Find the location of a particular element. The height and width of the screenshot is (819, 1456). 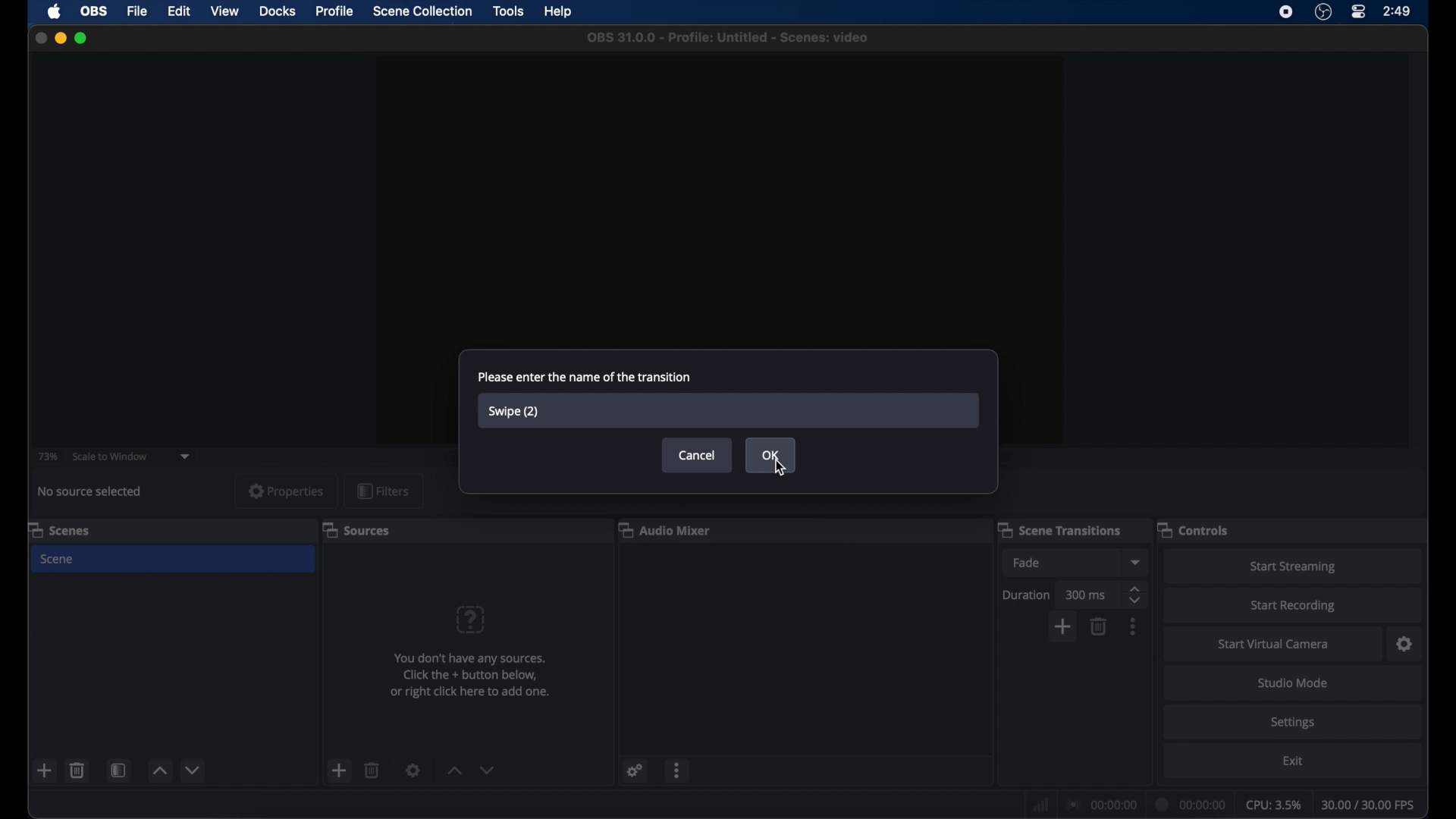

scene collection is located at coordinates (422, 11).